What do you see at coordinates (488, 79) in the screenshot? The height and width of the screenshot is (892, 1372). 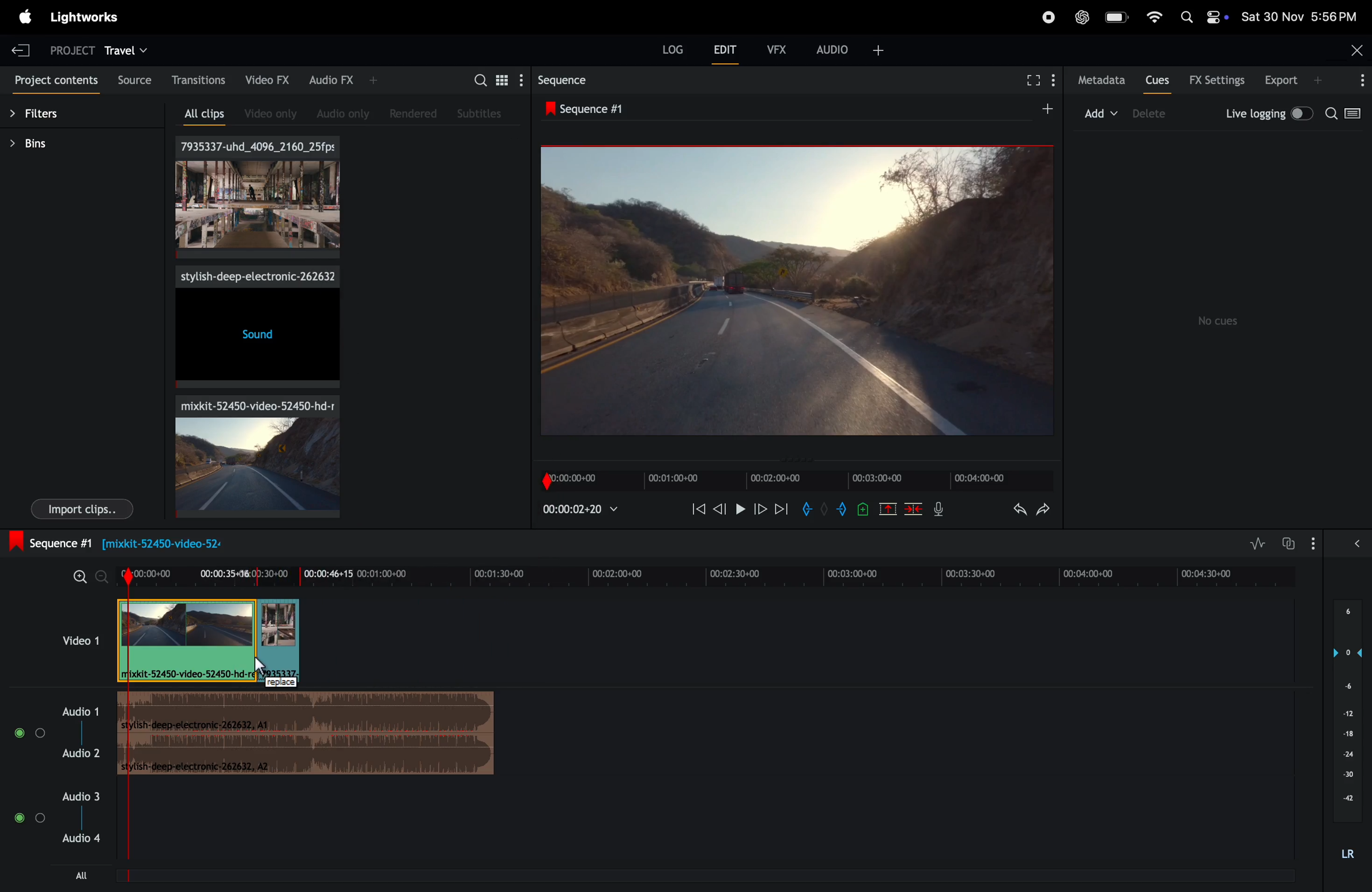 I see `search` at bounding box center [488, 79].